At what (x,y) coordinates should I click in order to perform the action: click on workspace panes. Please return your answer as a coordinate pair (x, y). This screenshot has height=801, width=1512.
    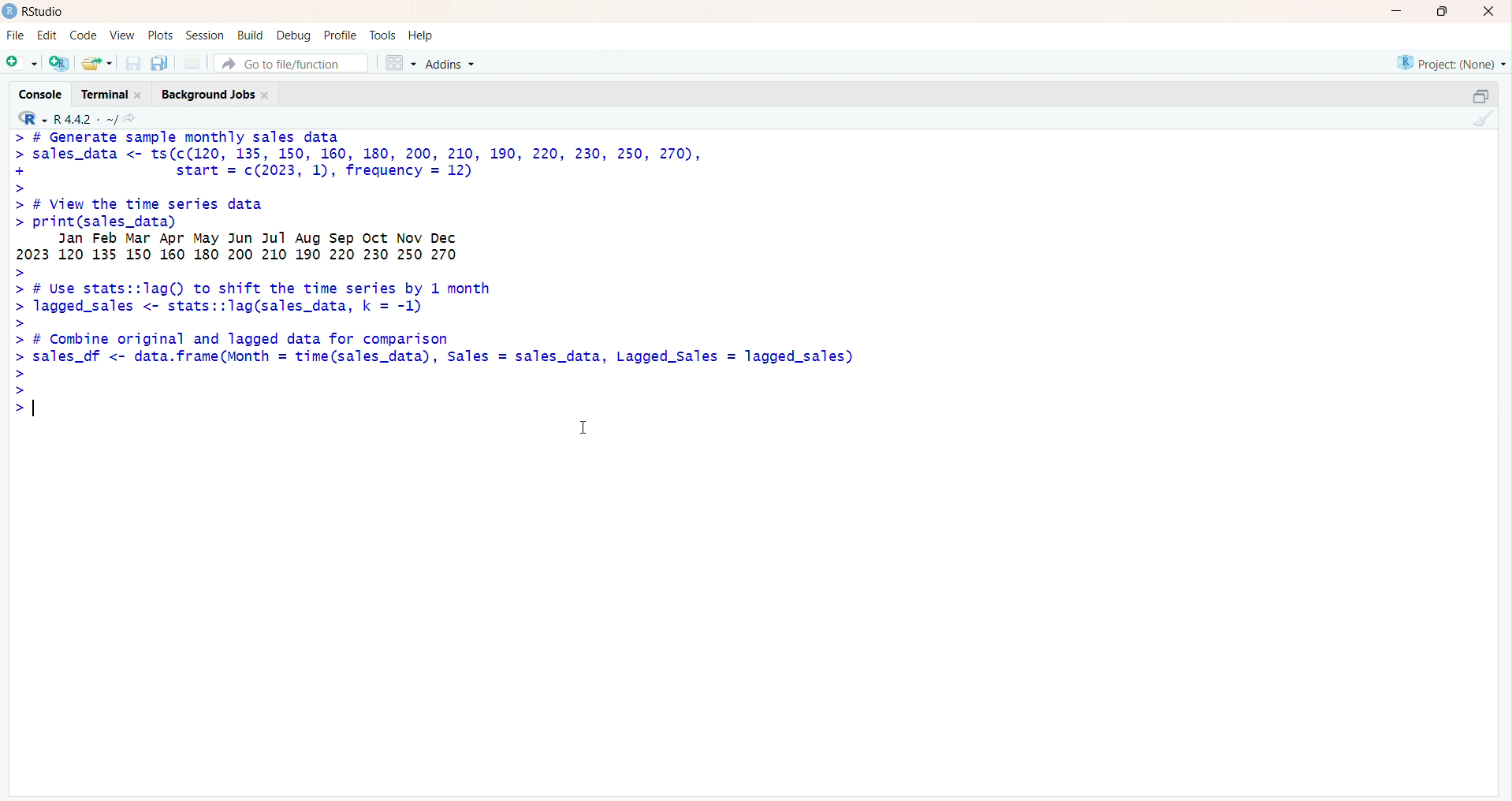
    Looking at the image, I should click on (400, 62).